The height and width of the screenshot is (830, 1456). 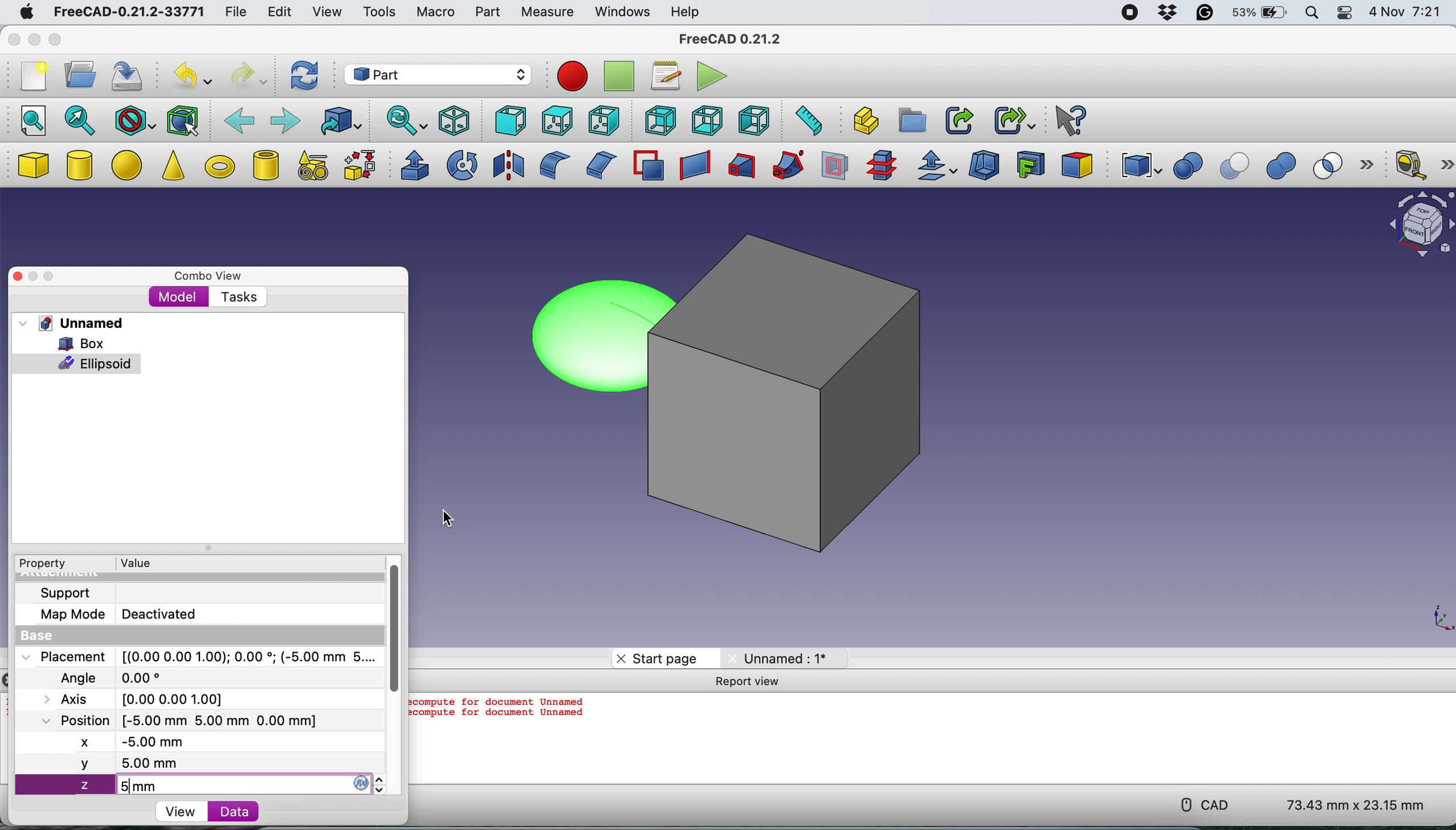 I want to click on cone, so click(x=173, y=168).